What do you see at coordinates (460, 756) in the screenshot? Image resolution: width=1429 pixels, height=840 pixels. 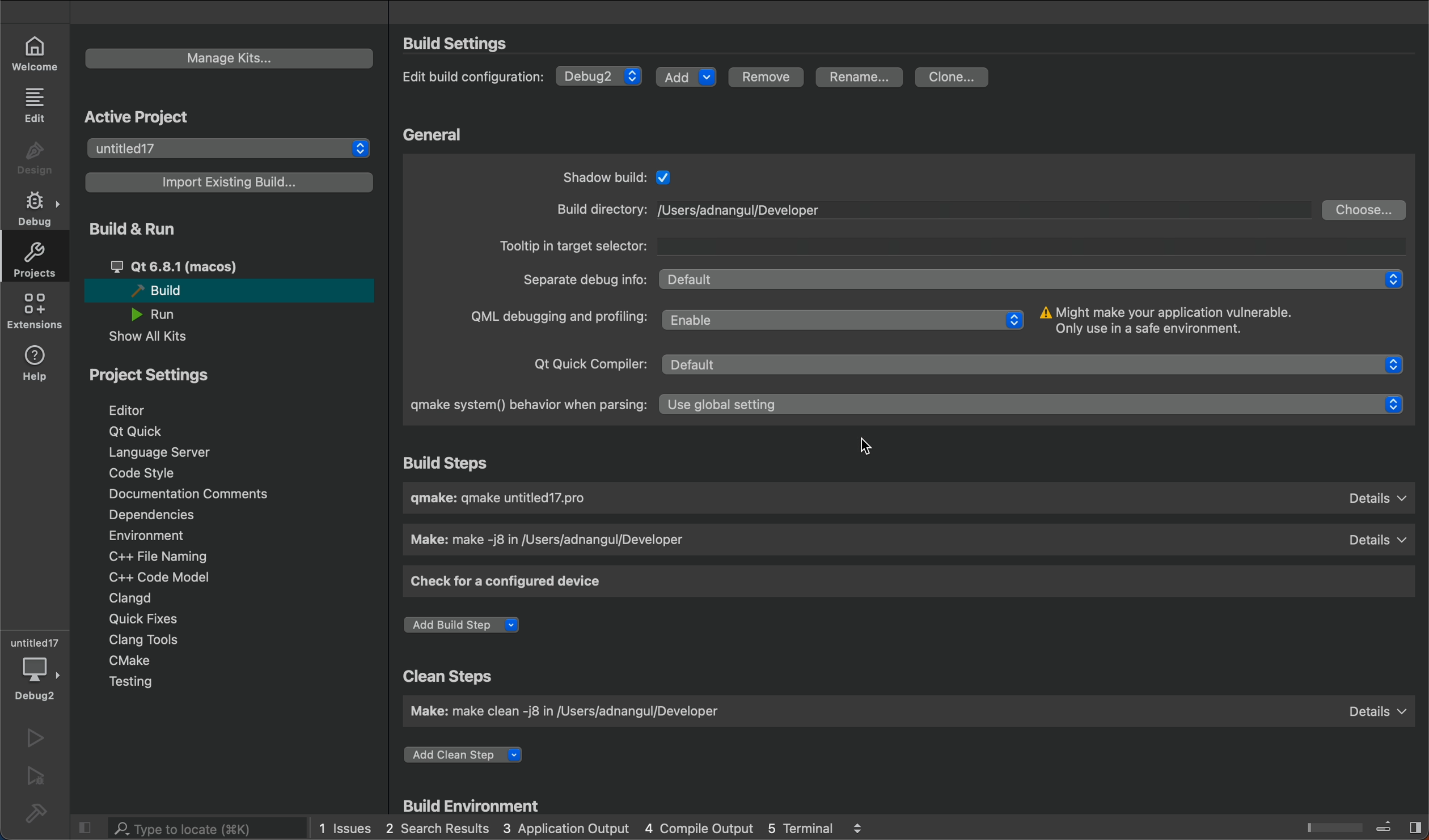 I see `add step` at bounding box center [460, 756].